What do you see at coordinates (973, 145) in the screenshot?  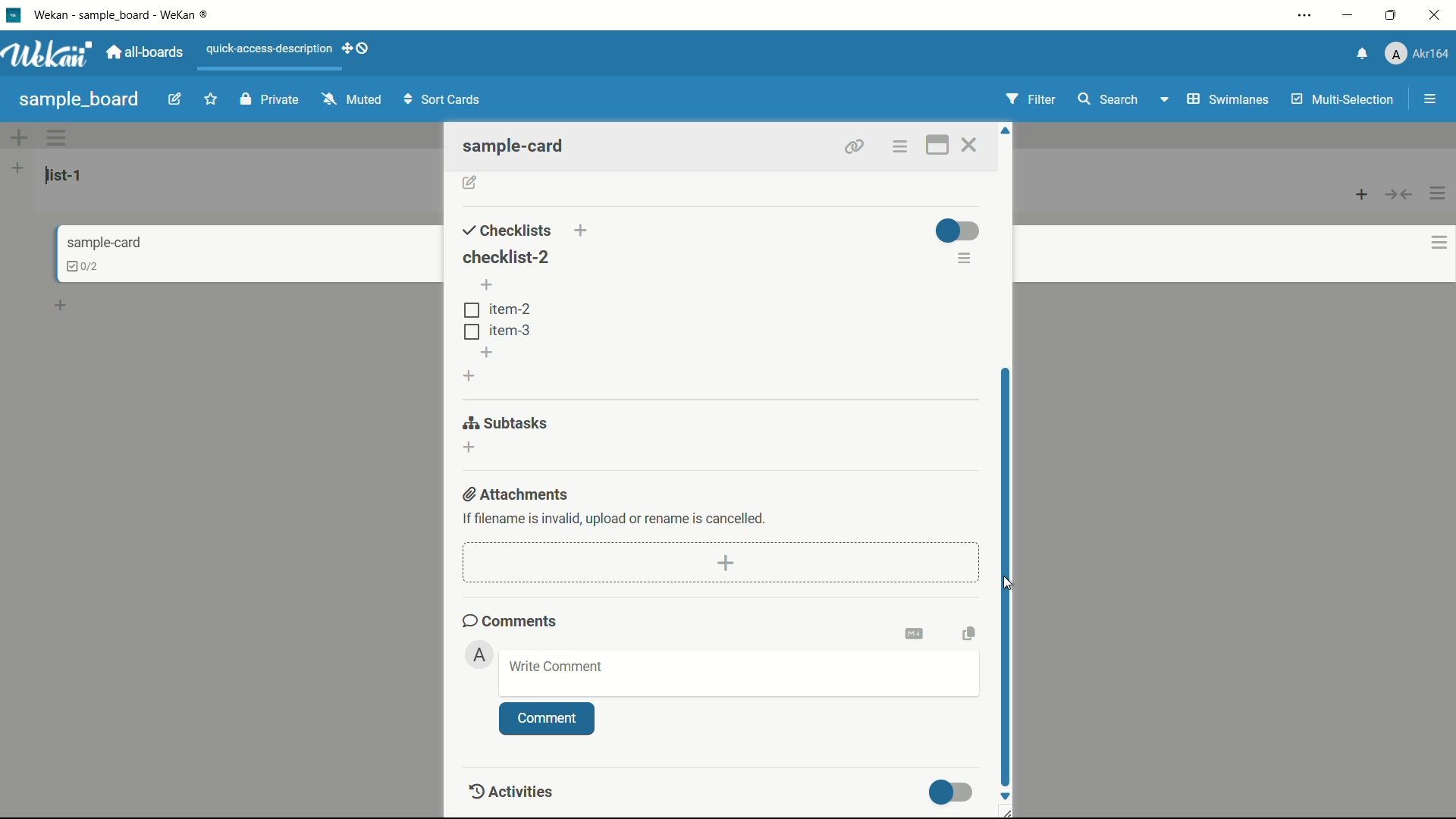 I see `close card` at bounding box center [973, 145].